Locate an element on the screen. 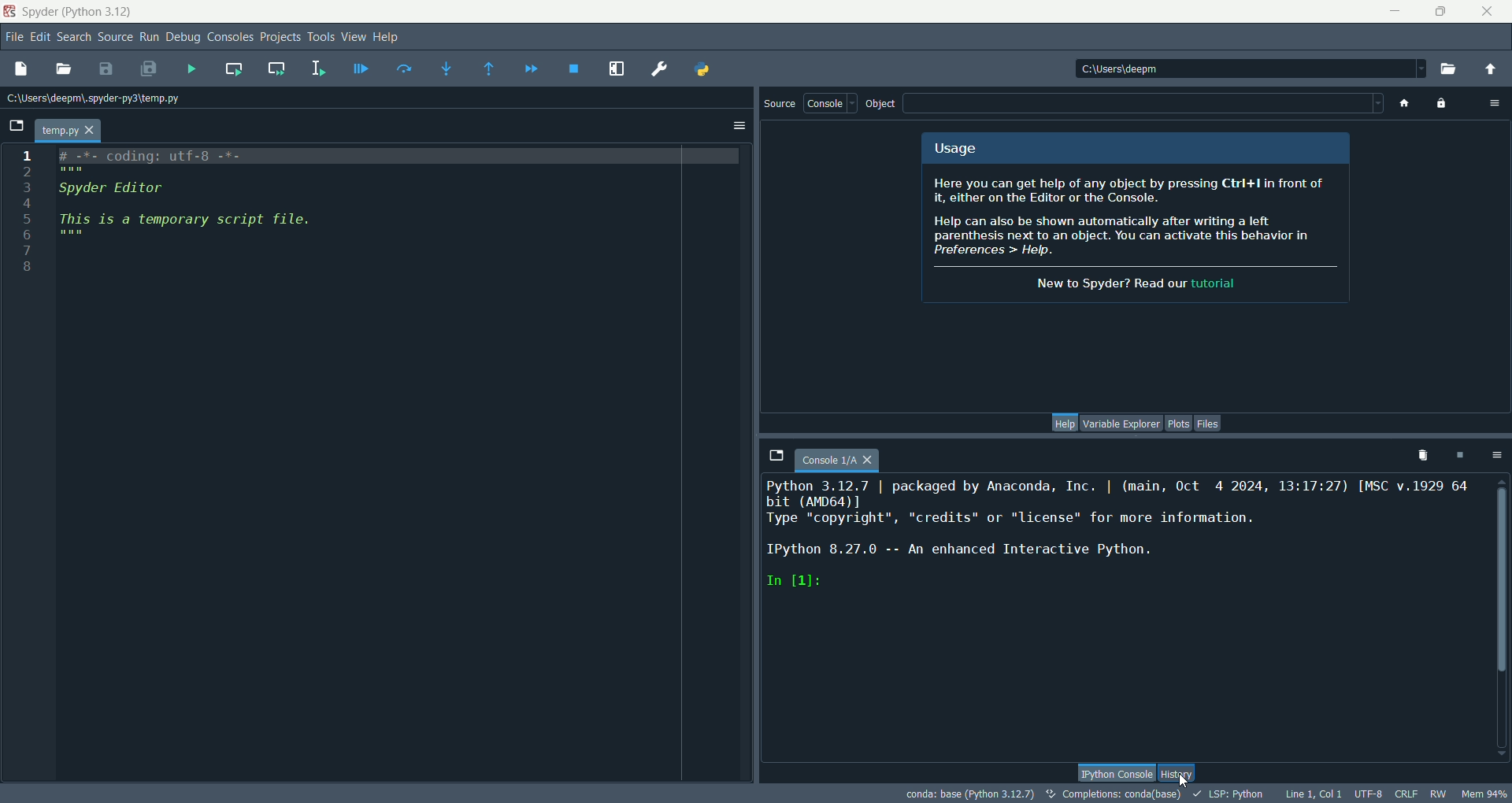  spyder info is located at coordinates (1137, 233).